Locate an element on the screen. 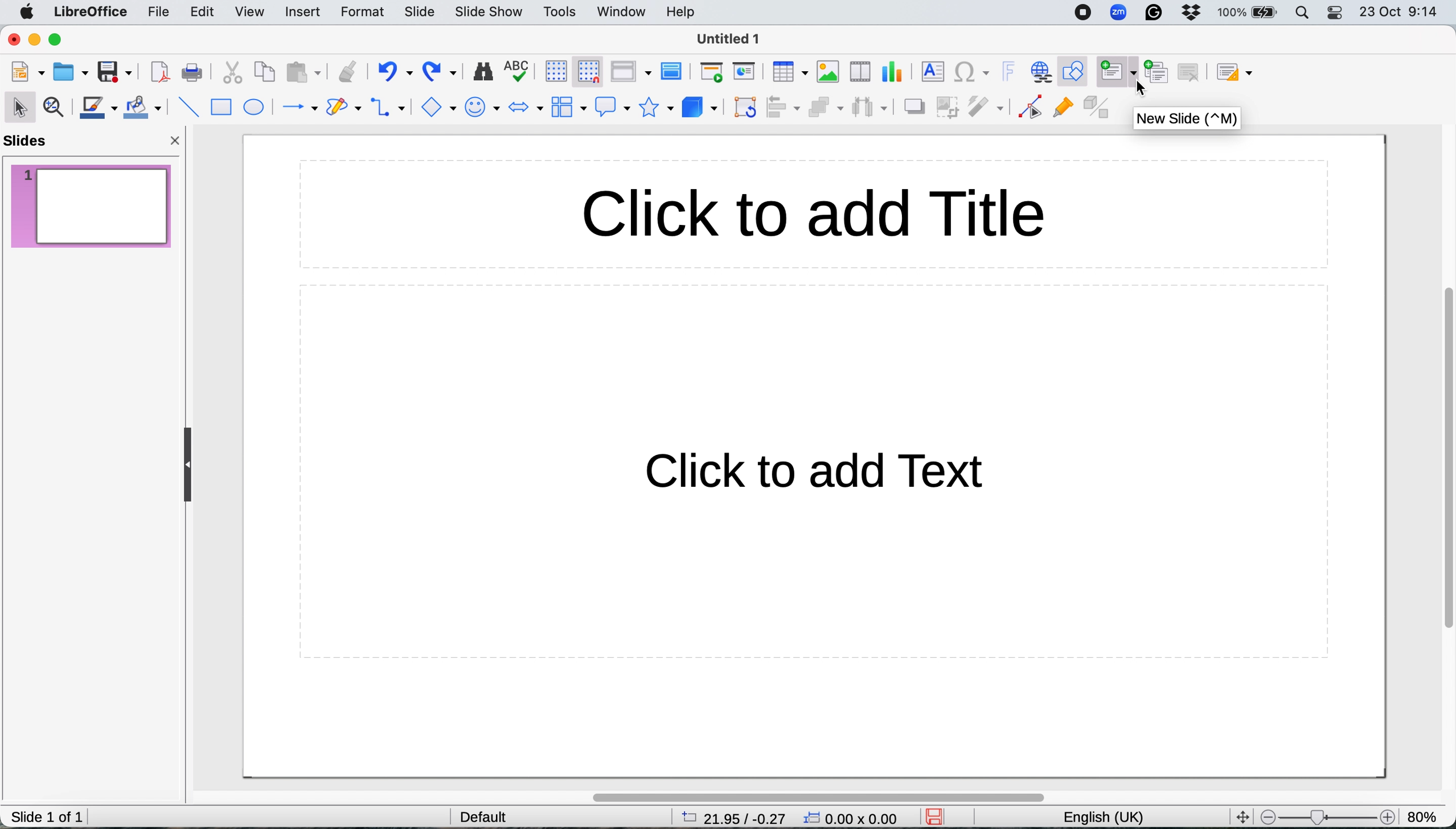  delete slide is located at coordinates (1193, 71).